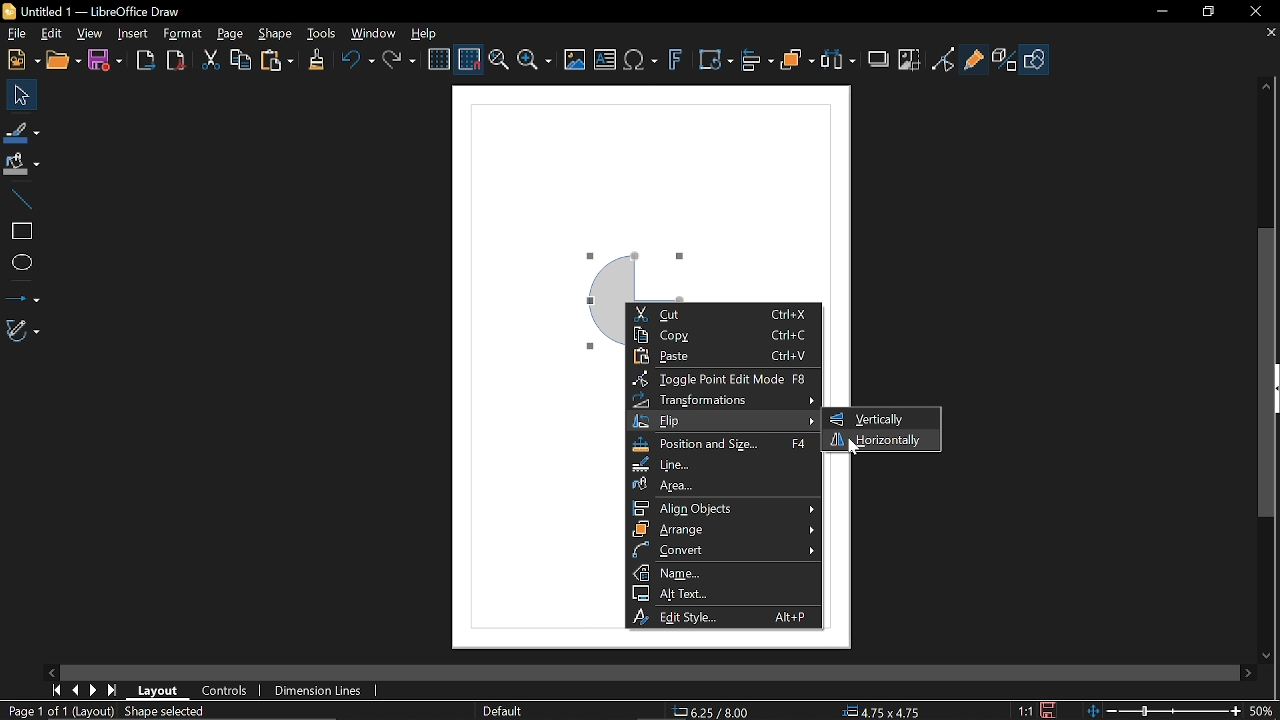 Image resolution: width=1280 pixels, height=720 pixels. Describe the element at coordinates (112, 691) in the screenshot. I see `Last page` at that location.